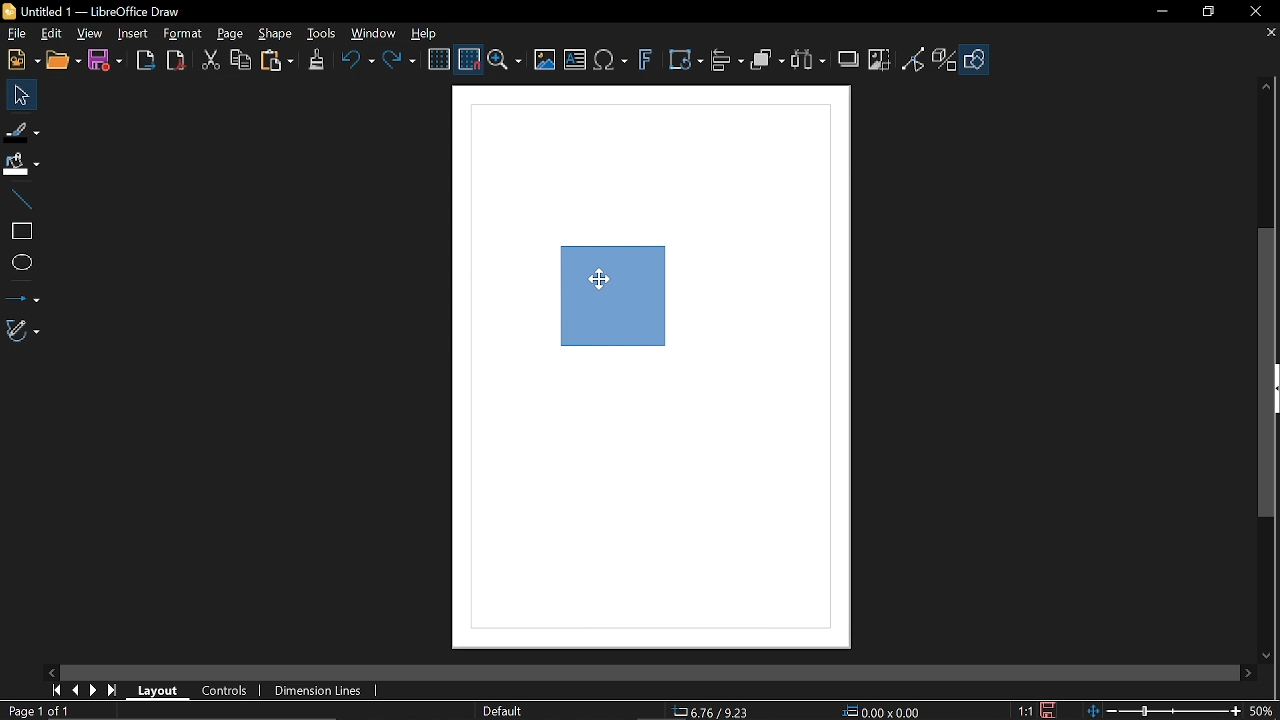  Describe the element at coordinates (374, 33) in the screenshot. I see `Window` at that location.